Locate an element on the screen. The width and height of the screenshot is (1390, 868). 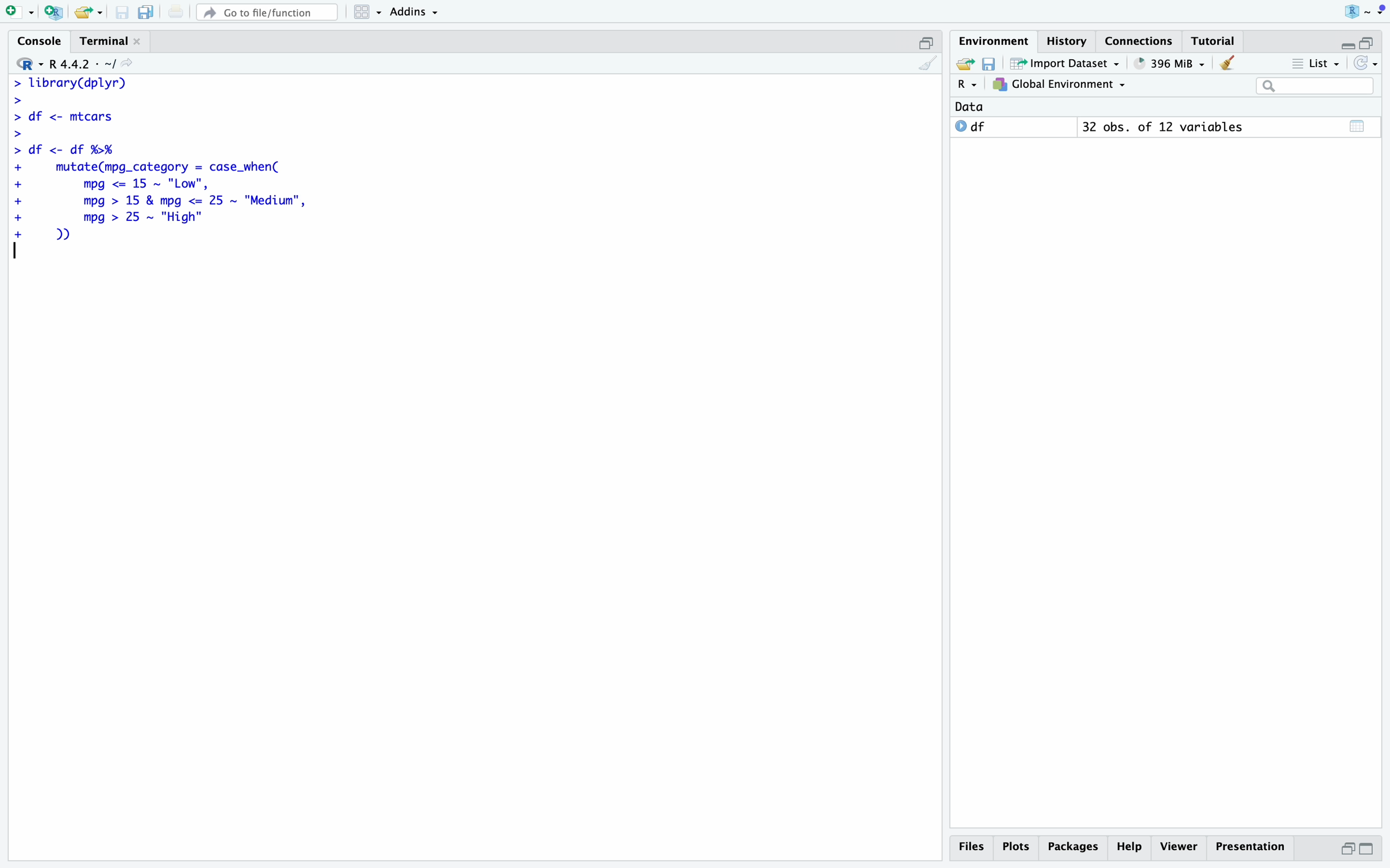
 is located at coordinates (1074, 848).